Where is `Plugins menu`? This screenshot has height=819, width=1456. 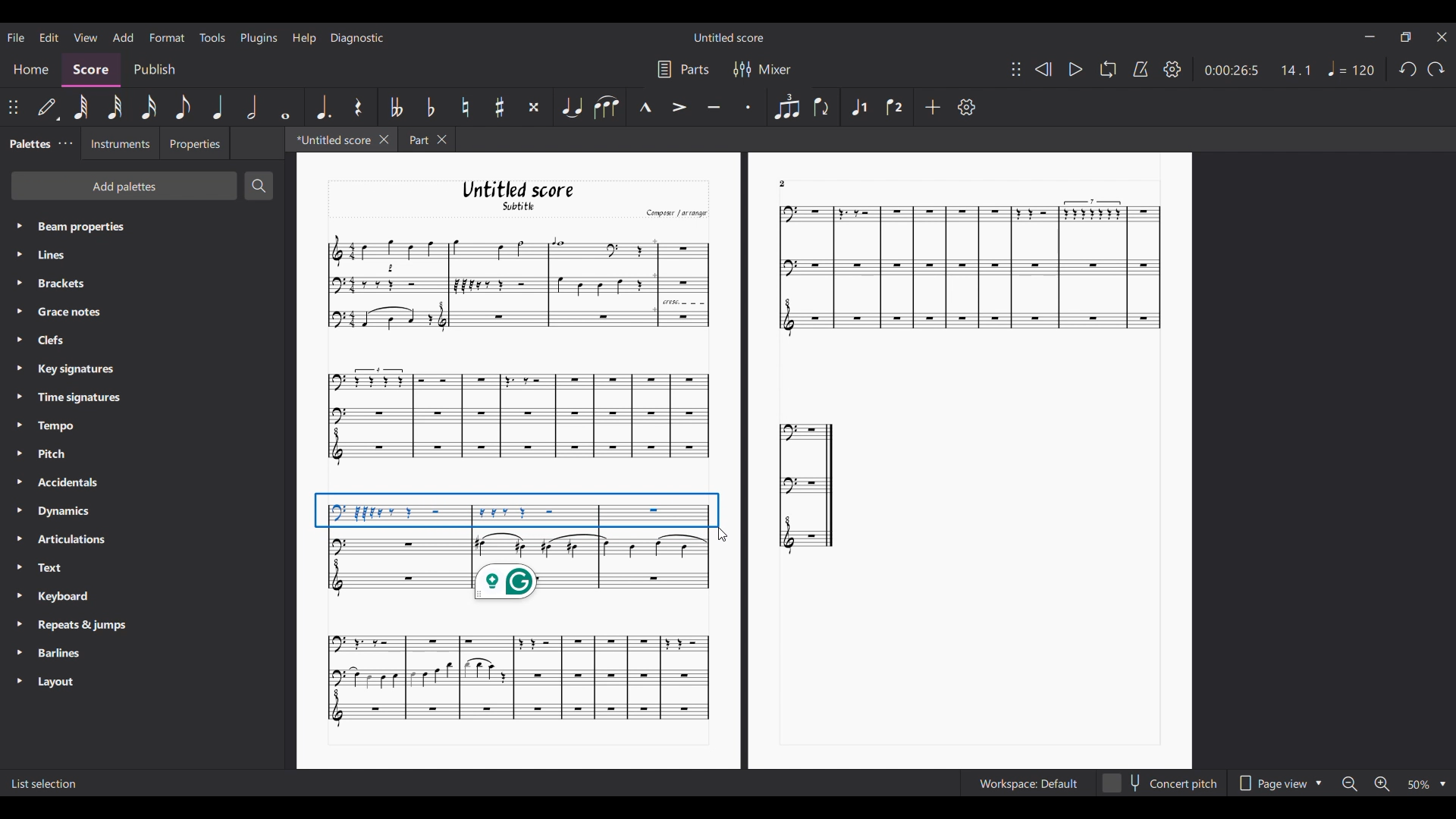 Plugins menu is located at coordinates (259, 39).